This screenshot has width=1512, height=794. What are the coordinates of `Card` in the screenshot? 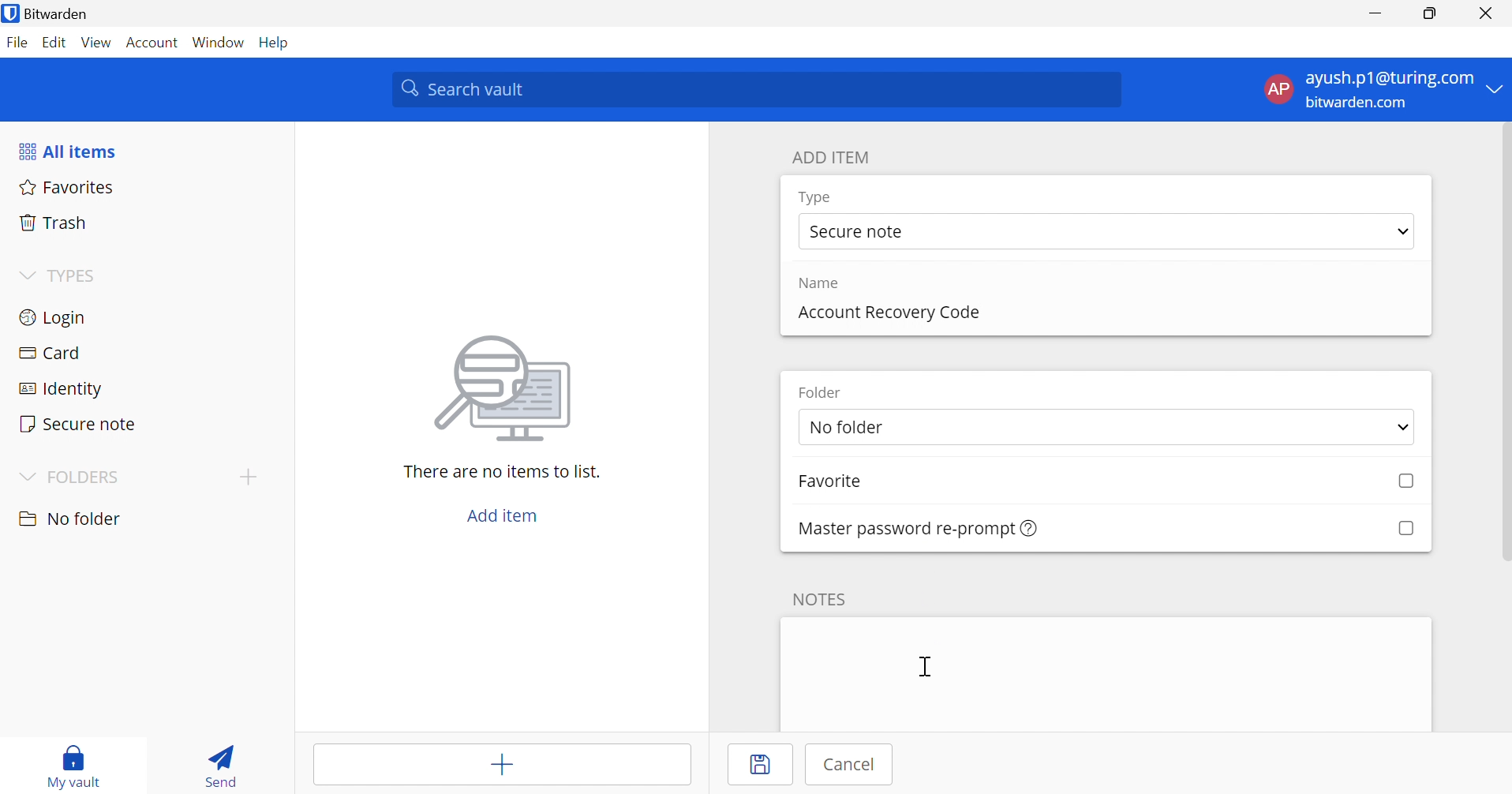 It's located at (54, 353).